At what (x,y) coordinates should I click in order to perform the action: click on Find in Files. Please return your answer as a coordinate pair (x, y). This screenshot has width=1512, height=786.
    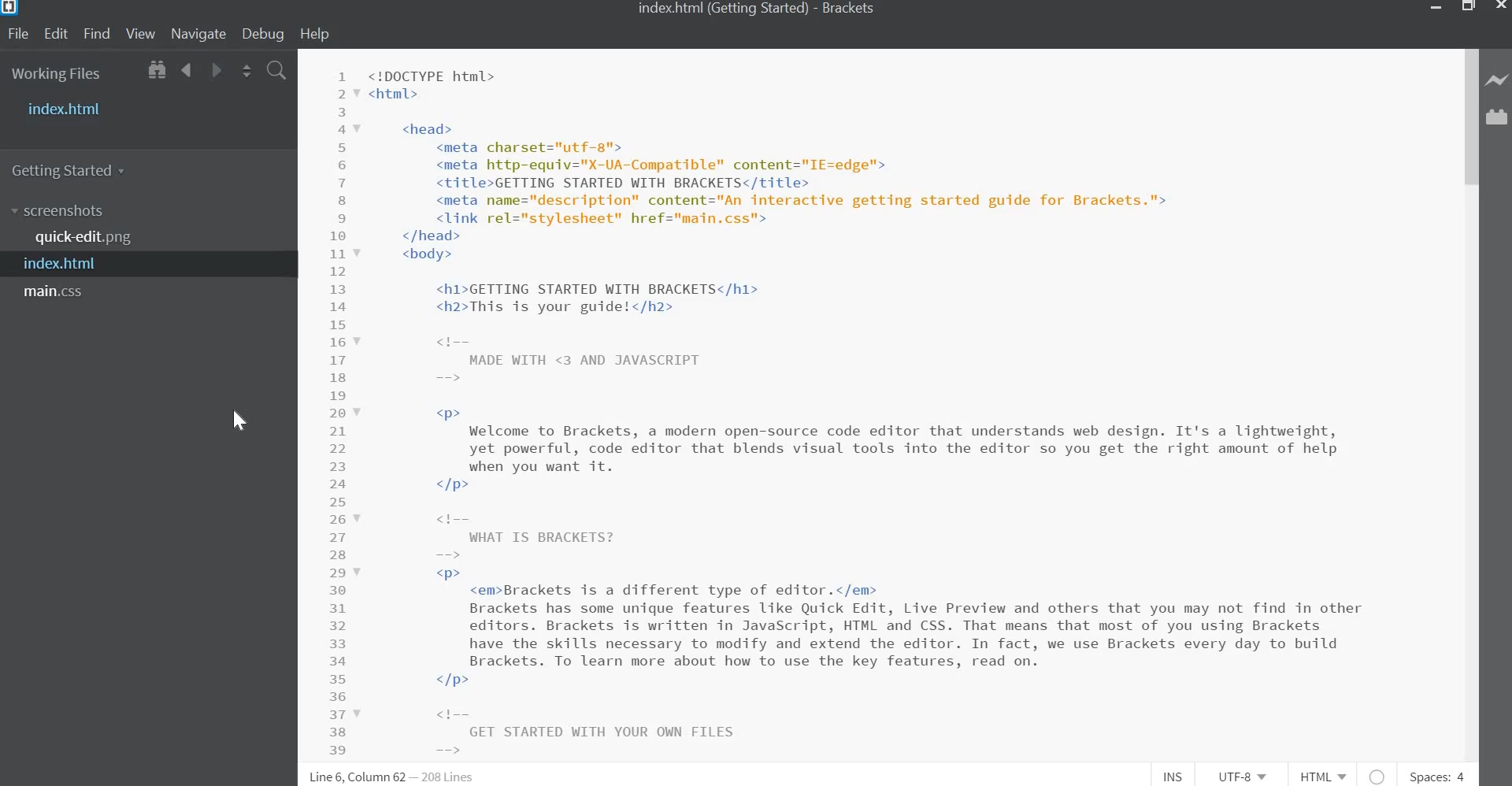
    Looking at the image, I should click on (276, 72).